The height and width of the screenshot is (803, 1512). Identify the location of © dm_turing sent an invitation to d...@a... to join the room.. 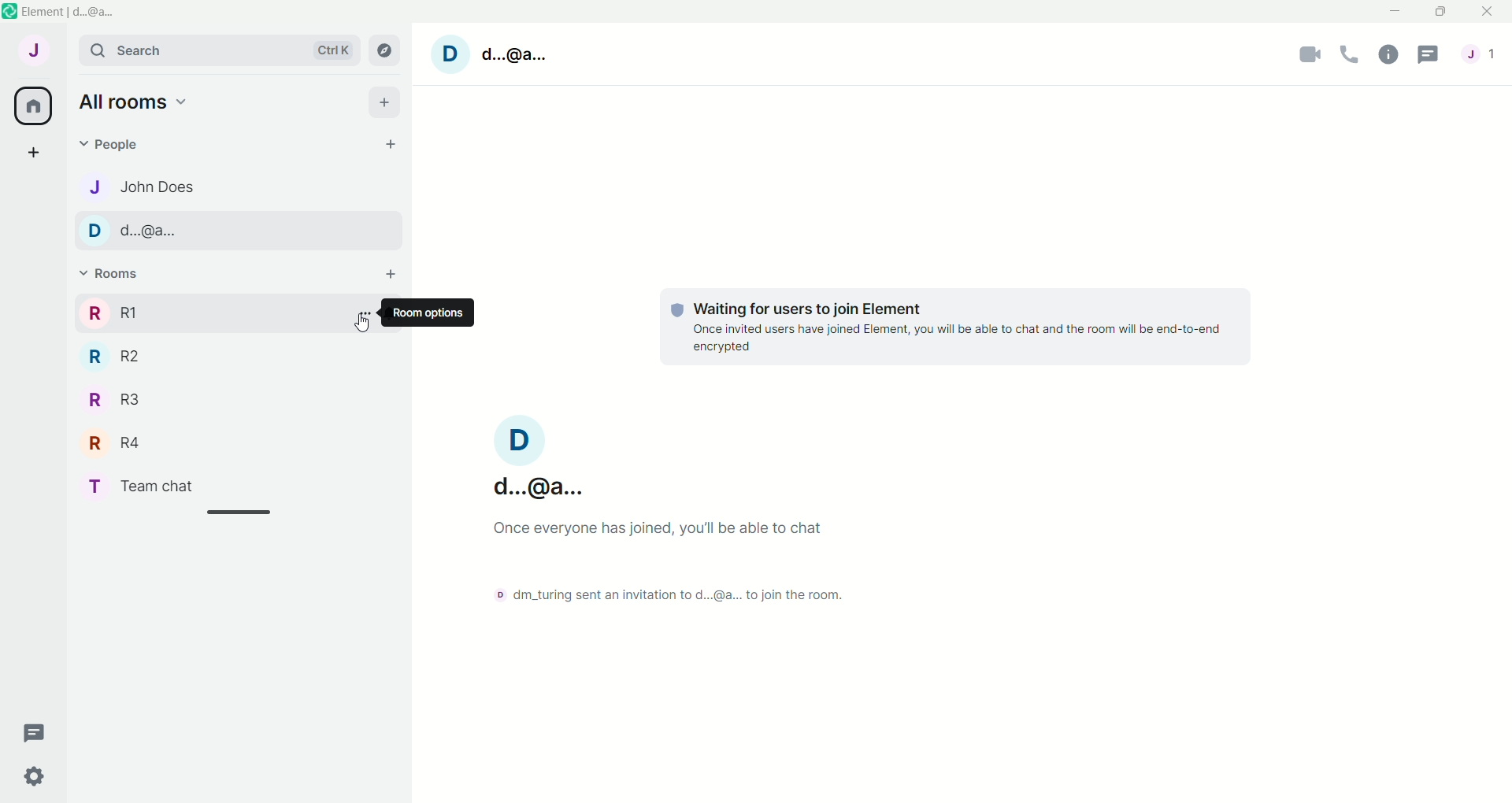
(673, 594).